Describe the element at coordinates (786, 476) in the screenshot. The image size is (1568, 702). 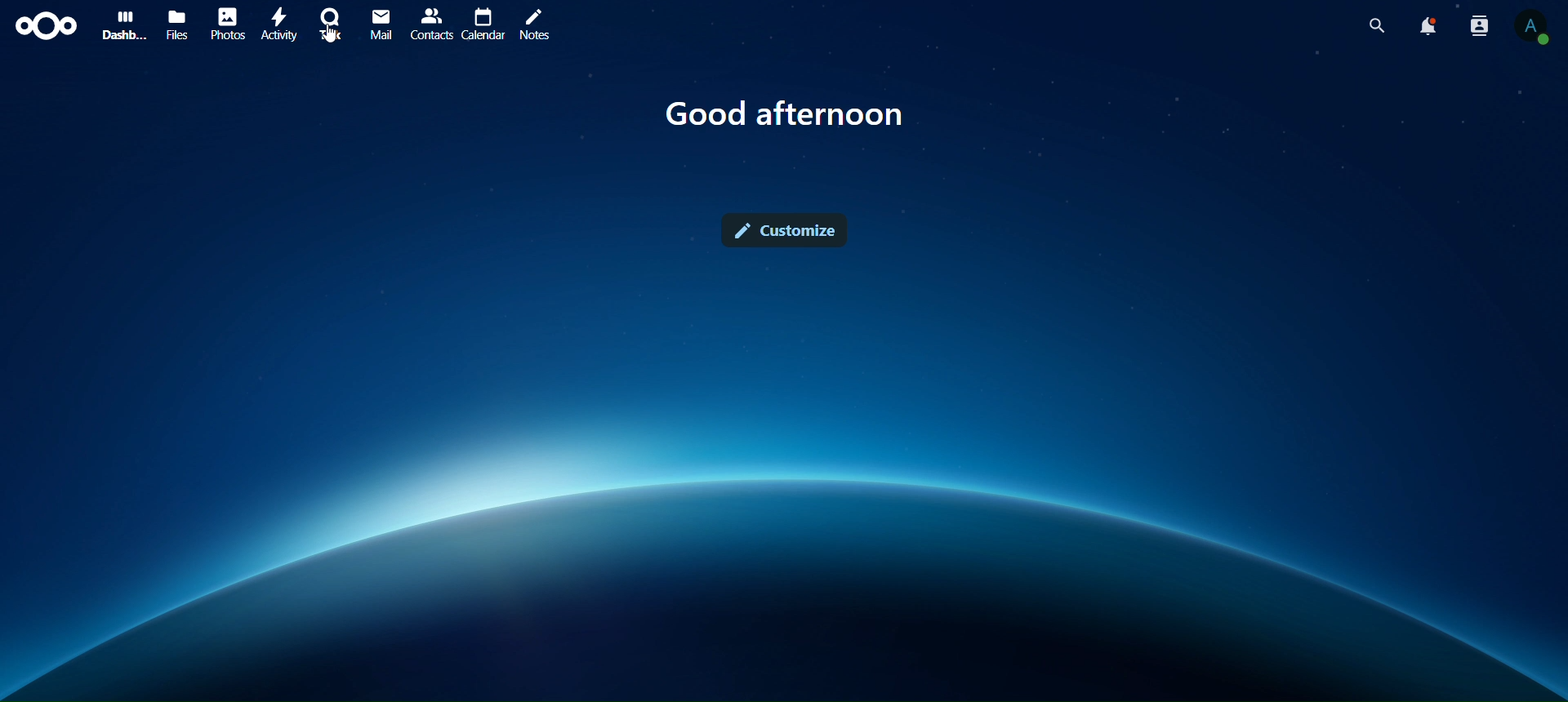
I see `image background` at that location.